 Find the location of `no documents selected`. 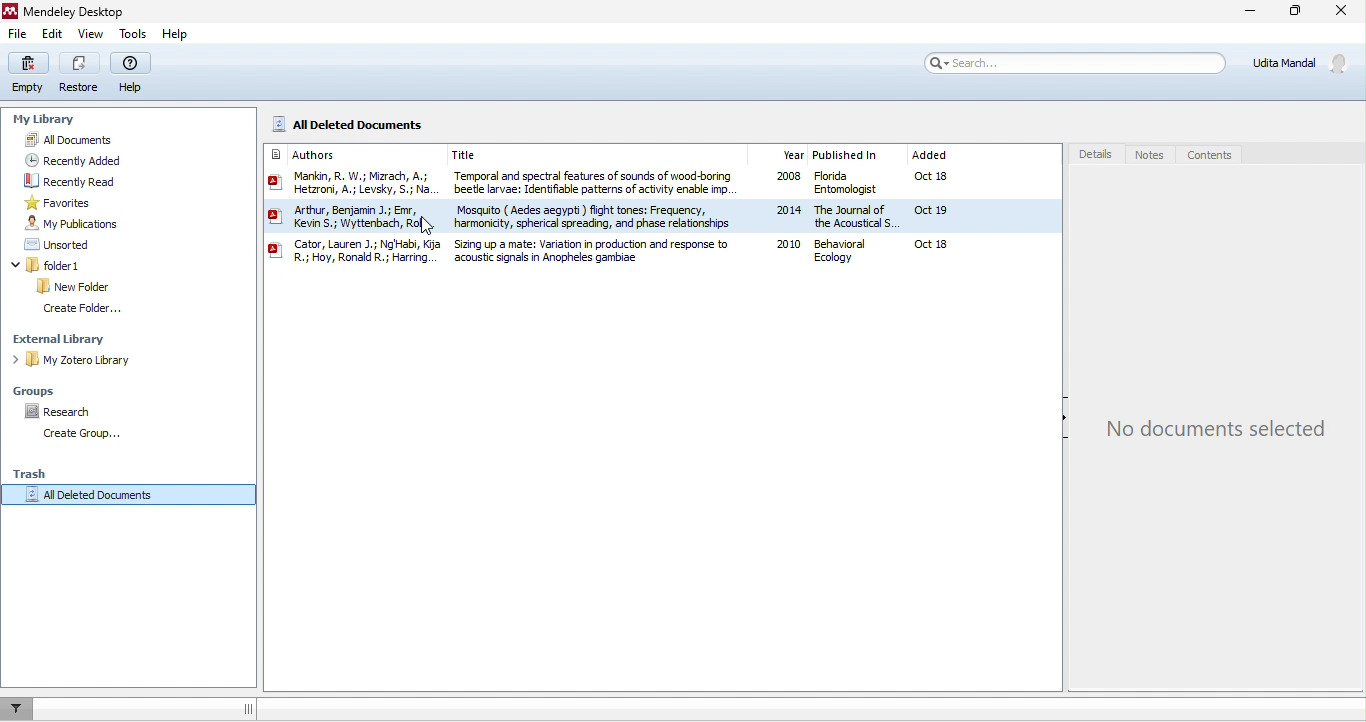

no documents selected is located at coordinates (1224, 413).